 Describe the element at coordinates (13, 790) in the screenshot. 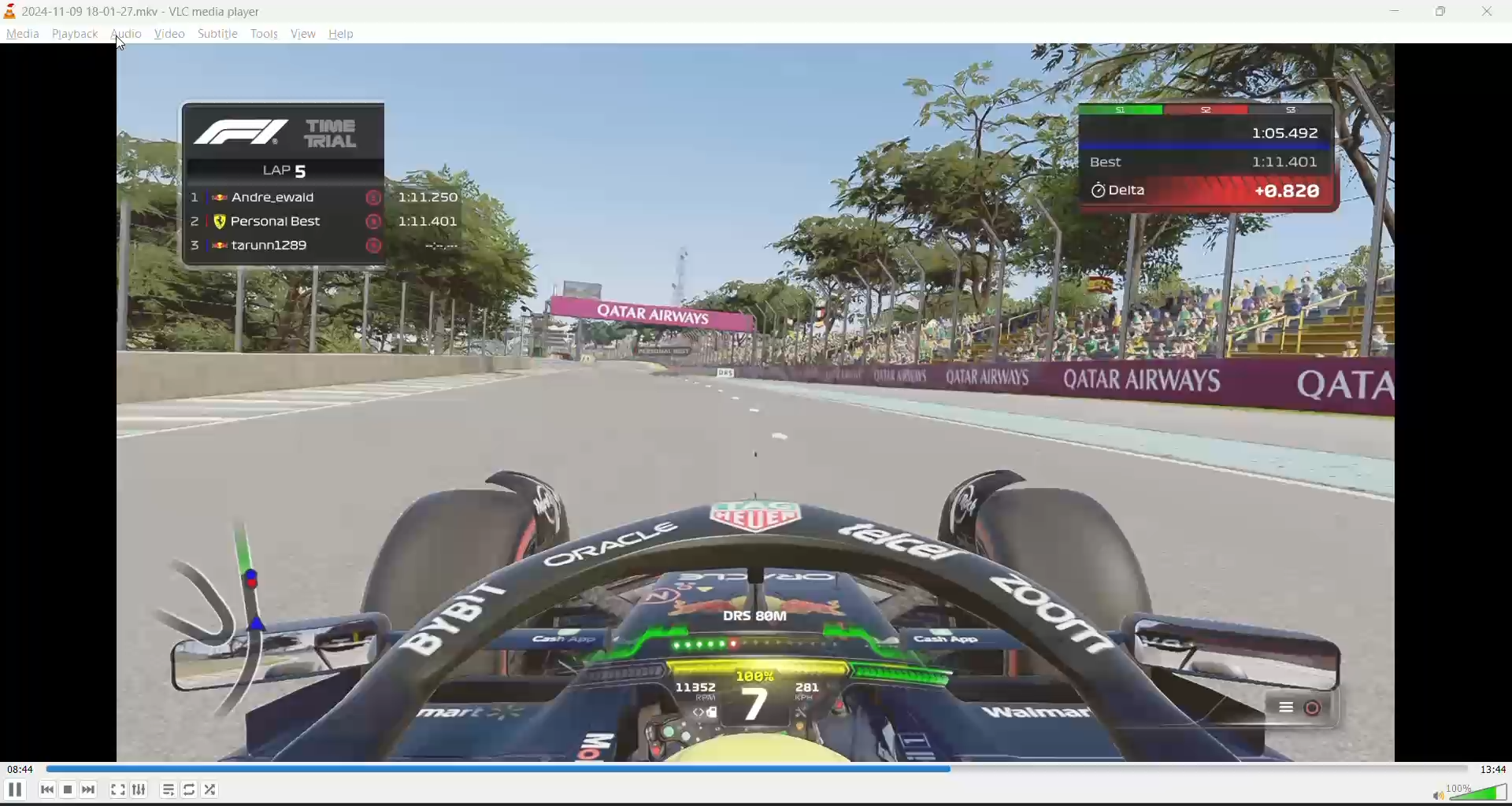

I see `pause` at that location.